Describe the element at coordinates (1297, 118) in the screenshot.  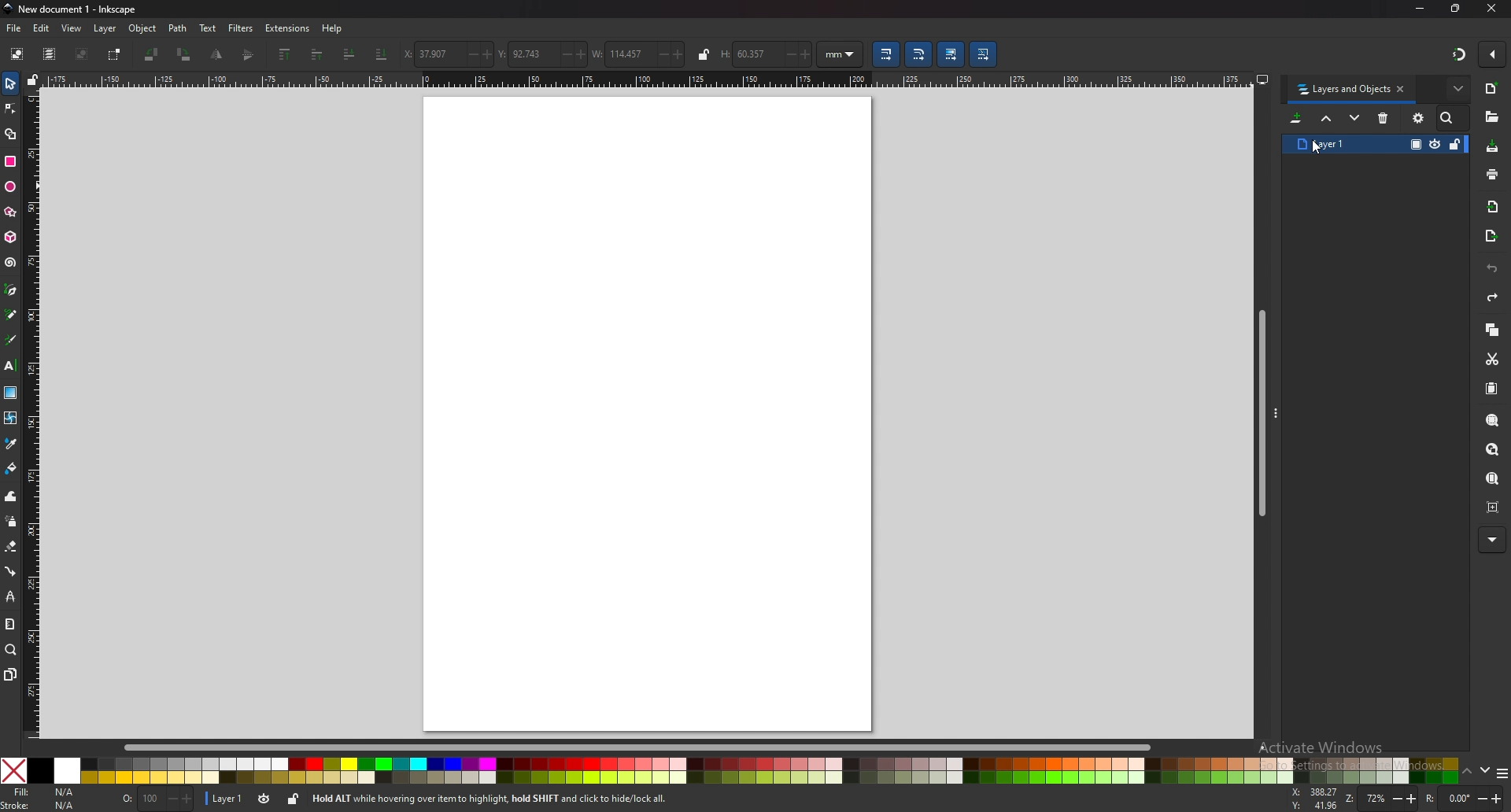
I see `add layer` at that location.